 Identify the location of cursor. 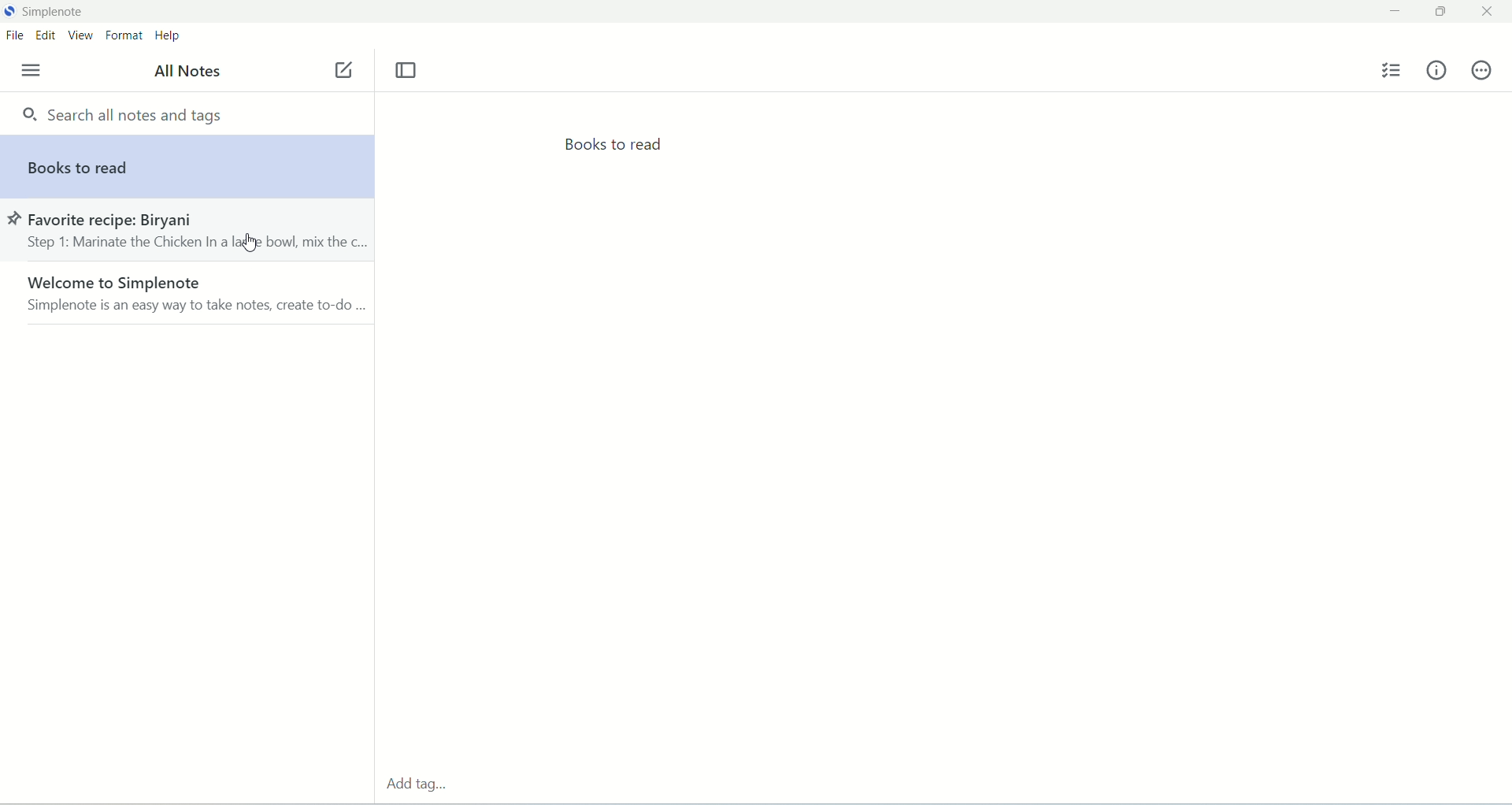
(253, 241).